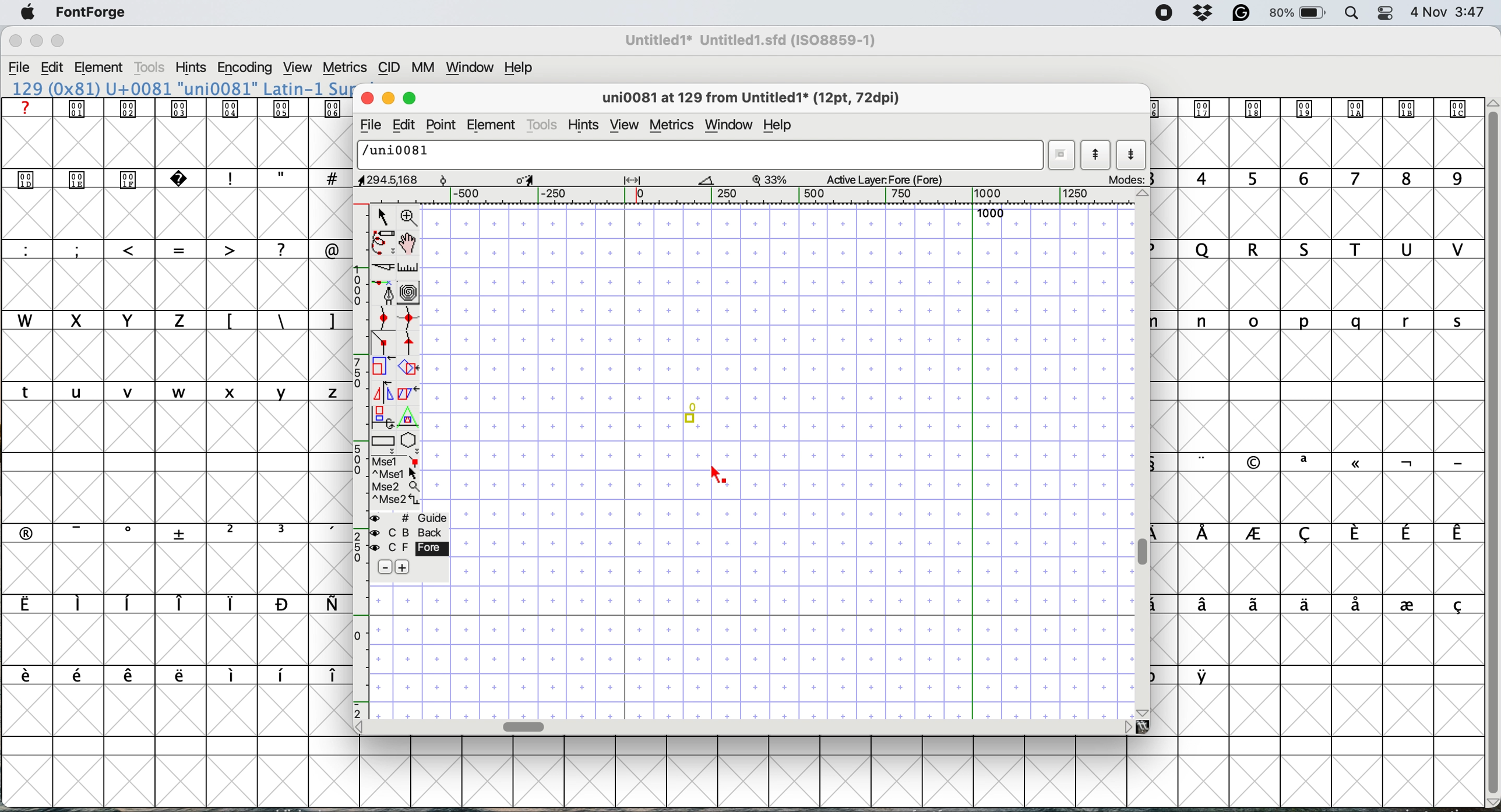  I want to click on CID, so click(389, 69).